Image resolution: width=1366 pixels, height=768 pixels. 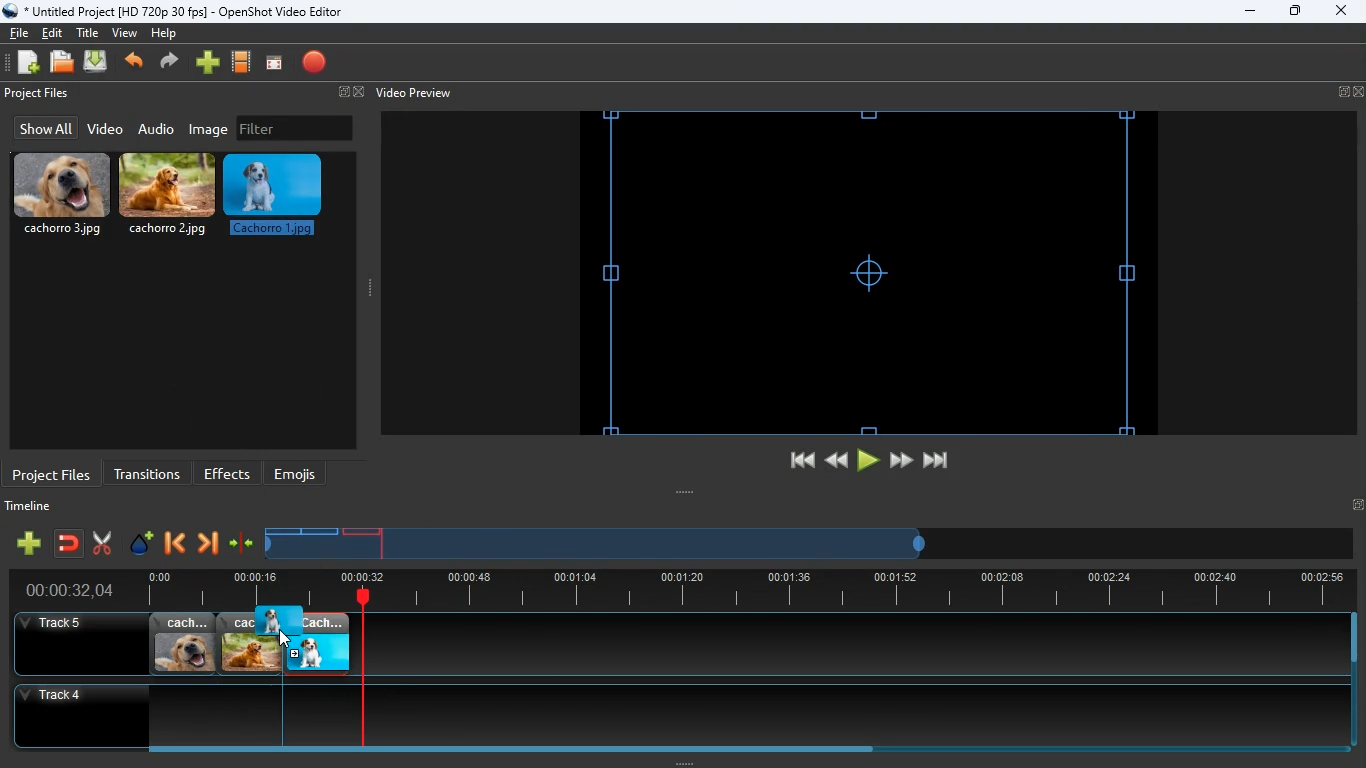 I want to click on image 2 timeline, so click(x=322, y=531).